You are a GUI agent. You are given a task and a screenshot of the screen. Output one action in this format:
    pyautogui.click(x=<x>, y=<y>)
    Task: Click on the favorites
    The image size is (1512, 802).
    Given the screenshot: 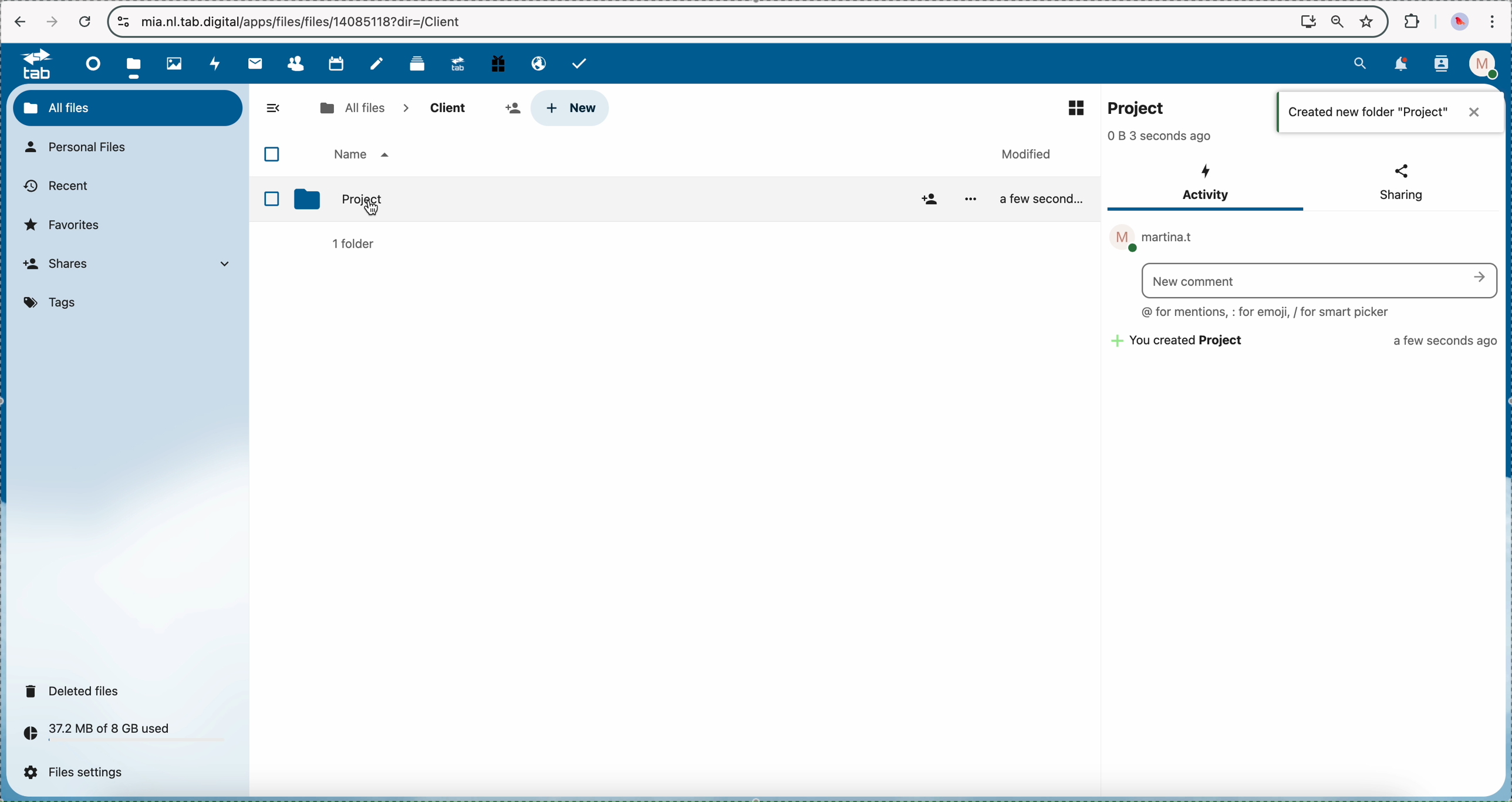 What is the action you would take?
    pyautogui.click(x=1369, y=21)
    